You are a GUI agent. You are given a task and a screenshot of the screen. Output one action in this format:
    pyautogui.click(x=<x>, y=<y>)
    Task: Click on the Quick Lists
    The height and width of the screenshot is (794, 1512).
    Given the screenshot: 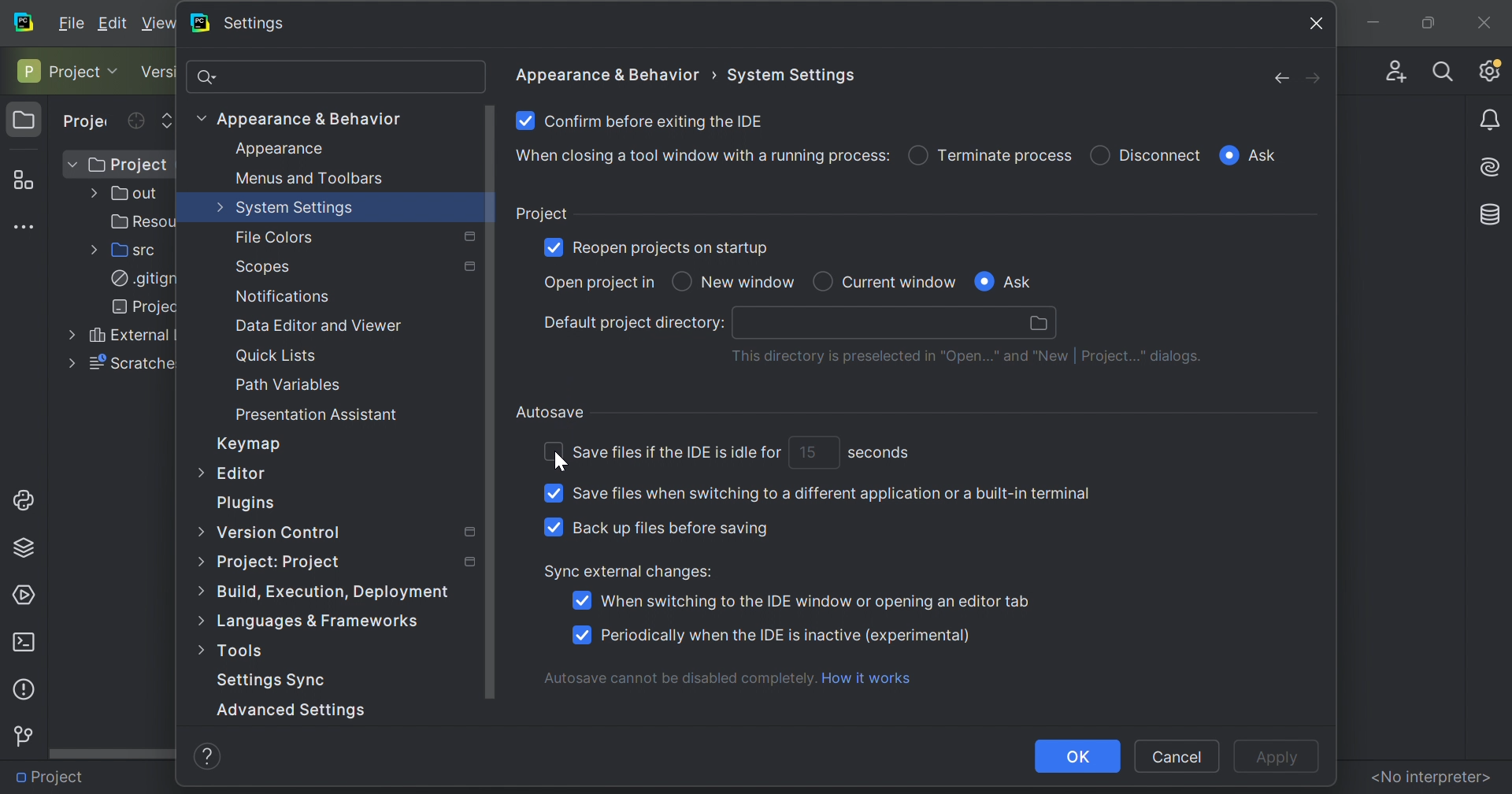 What is the action you would take?
    pyautogui.click(x=279, y=355)
    